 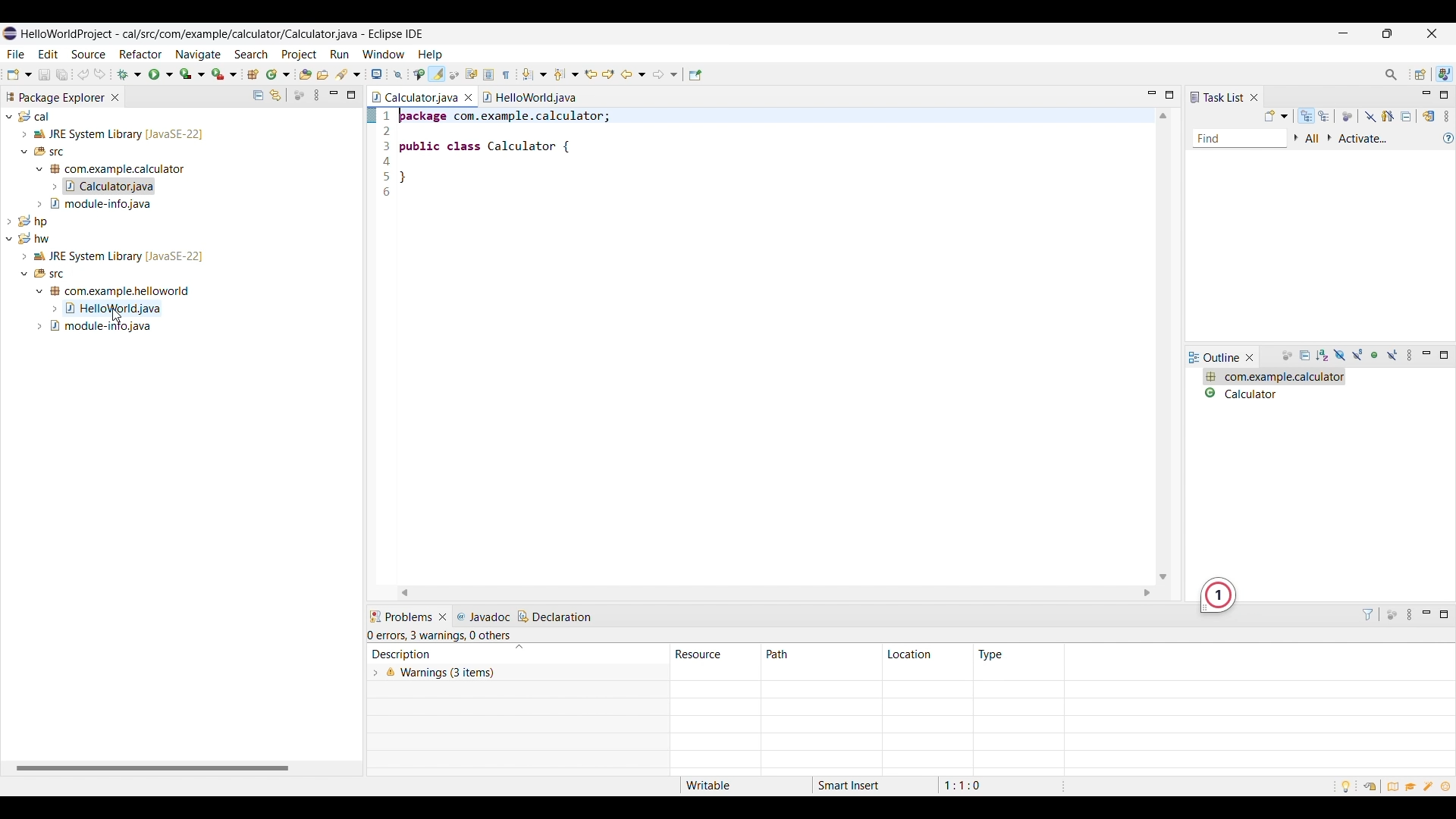 What do you see at coordinates (1427, 96) in the screenshot?
I see `Minimize` at bounding box center [1427, 96].